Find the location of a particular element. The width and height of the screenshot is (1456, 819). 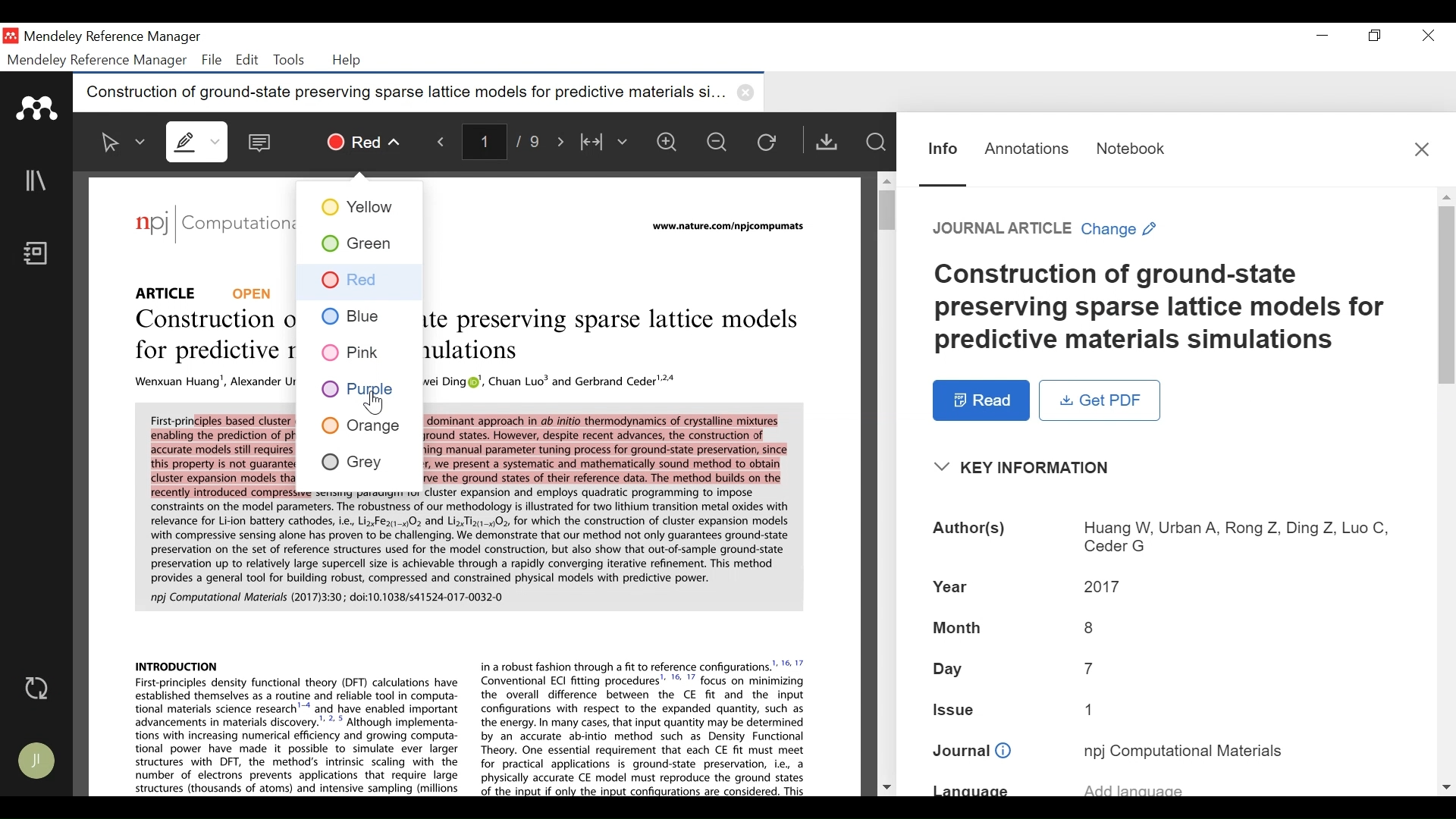

Zoom out is located at coordinates (716, 141).